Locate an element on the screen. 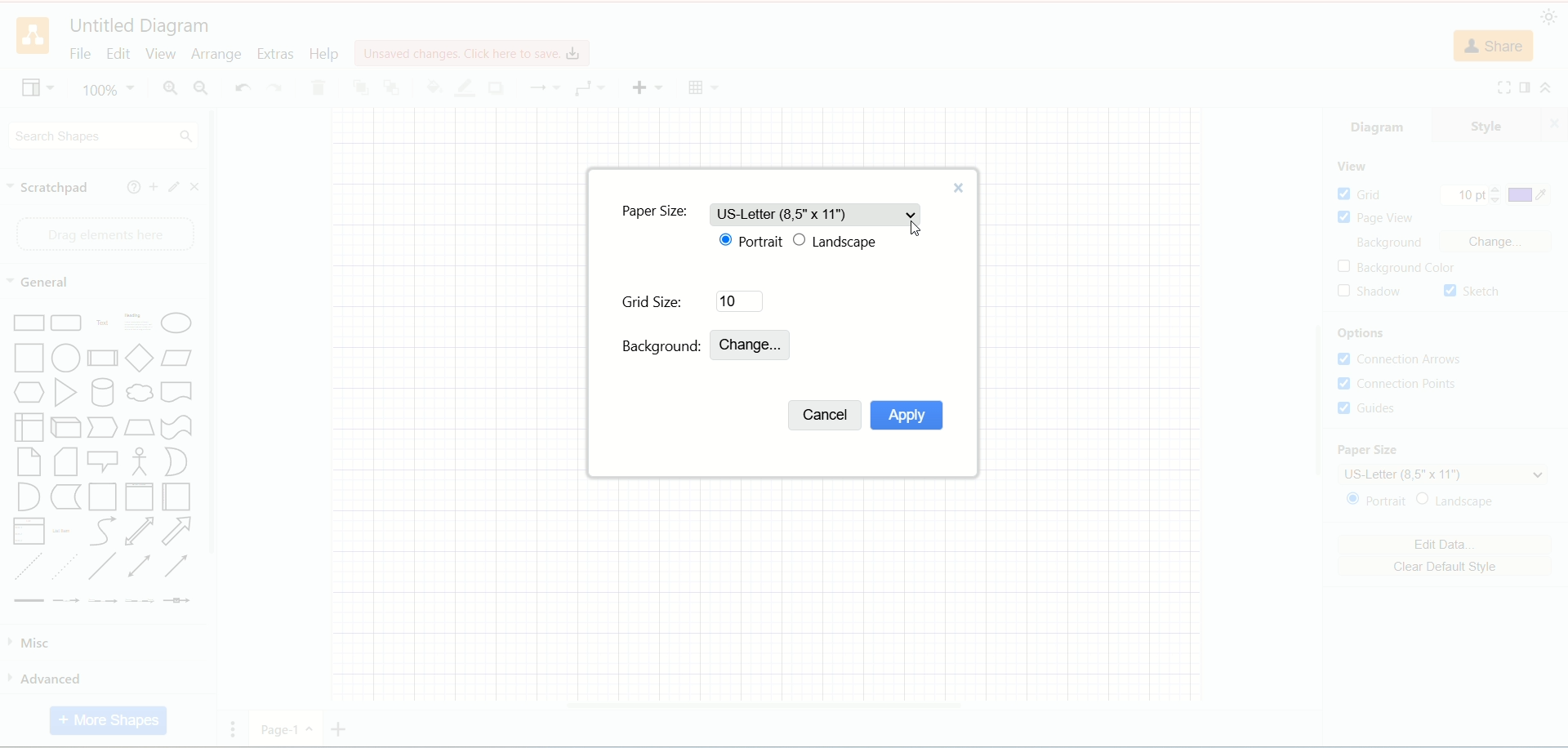  style is located at coordinates (1501, 124).